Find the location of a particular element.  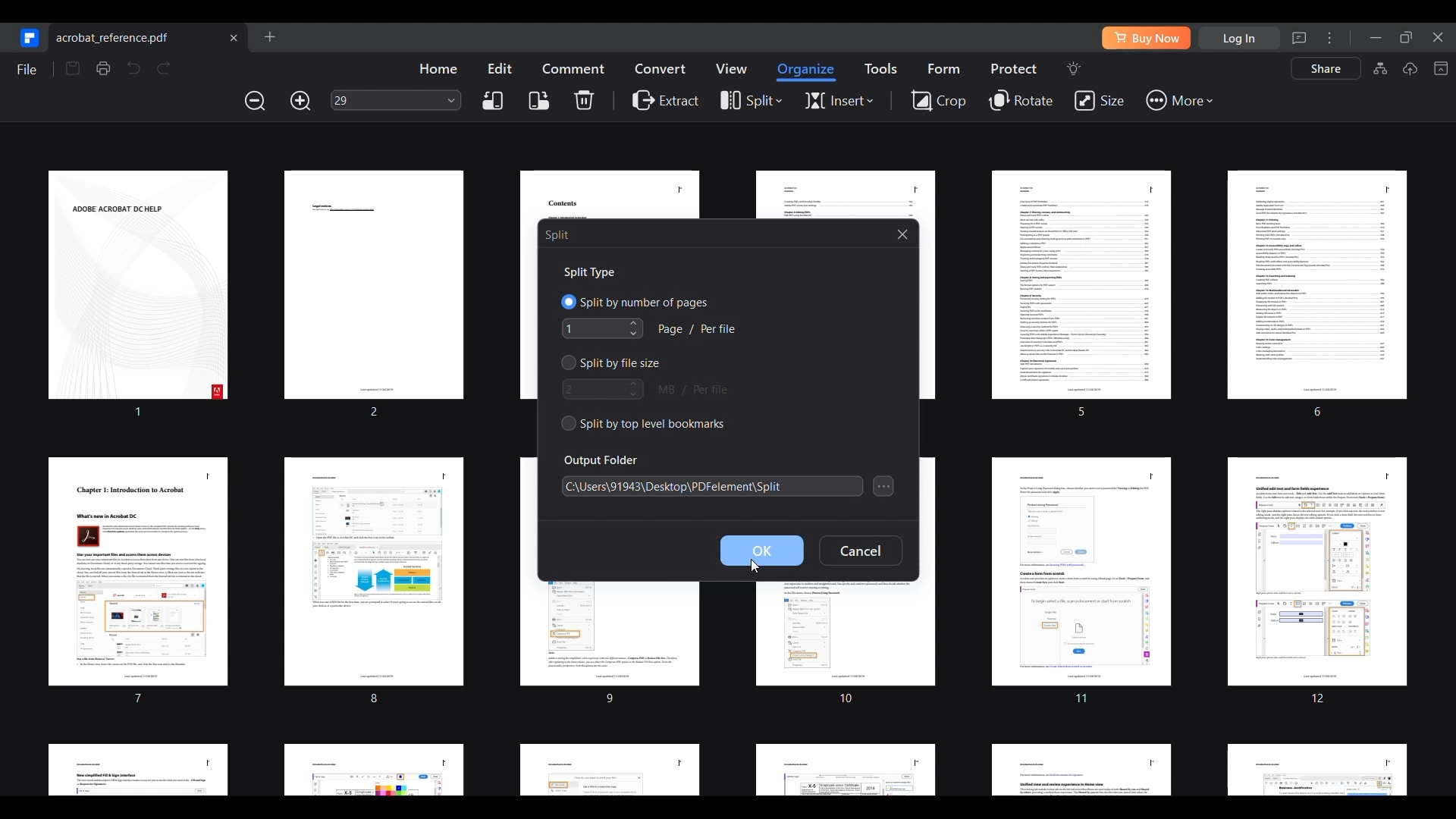

Zoom in is located at coordinates (300, 101).